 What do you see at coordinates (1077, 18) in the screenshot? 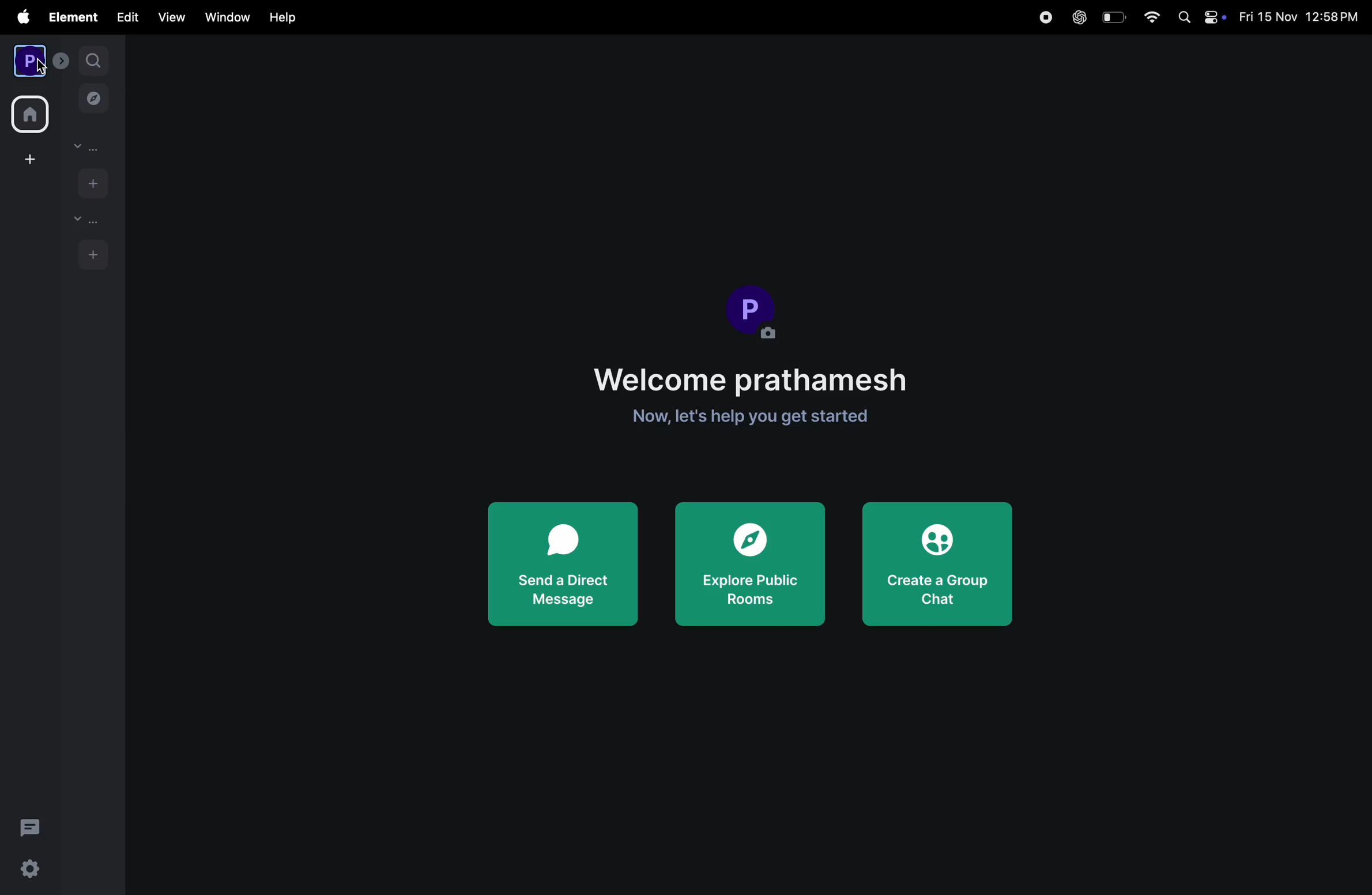
I see `chatgpt` at bounding box center [1077, 18].